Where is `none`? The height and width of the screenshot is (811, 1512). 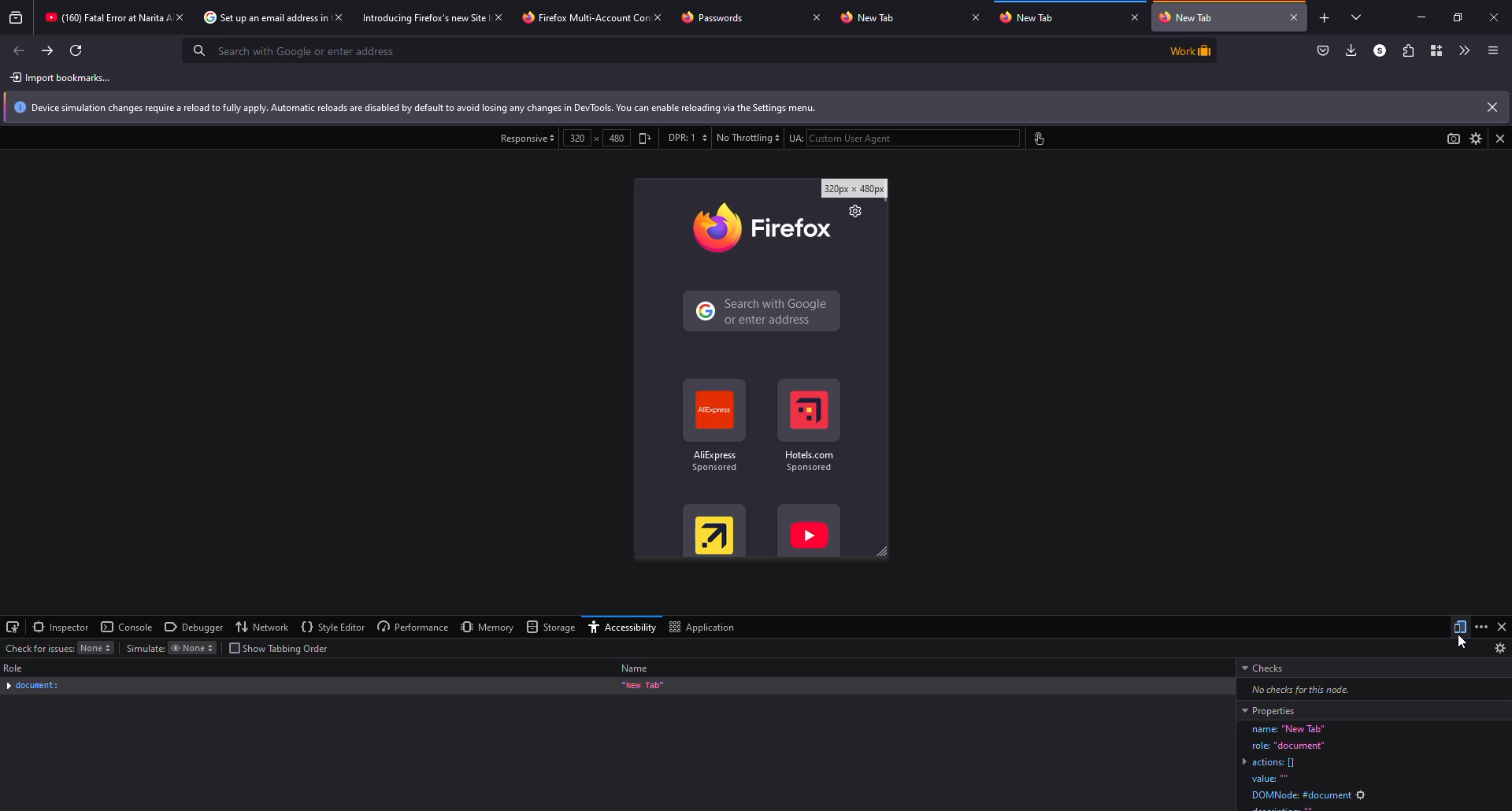
none is located at coordinates (191, 649).